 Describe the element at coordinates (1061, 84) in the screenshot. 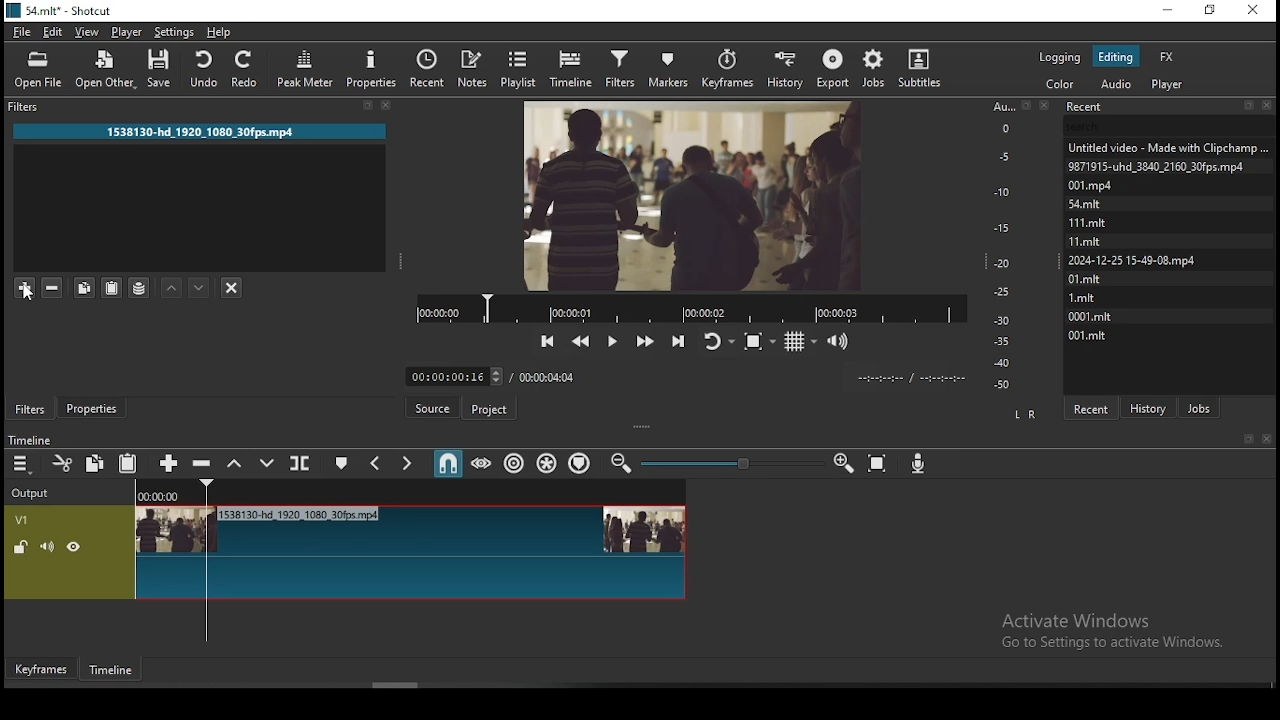

I see `color` at that location.